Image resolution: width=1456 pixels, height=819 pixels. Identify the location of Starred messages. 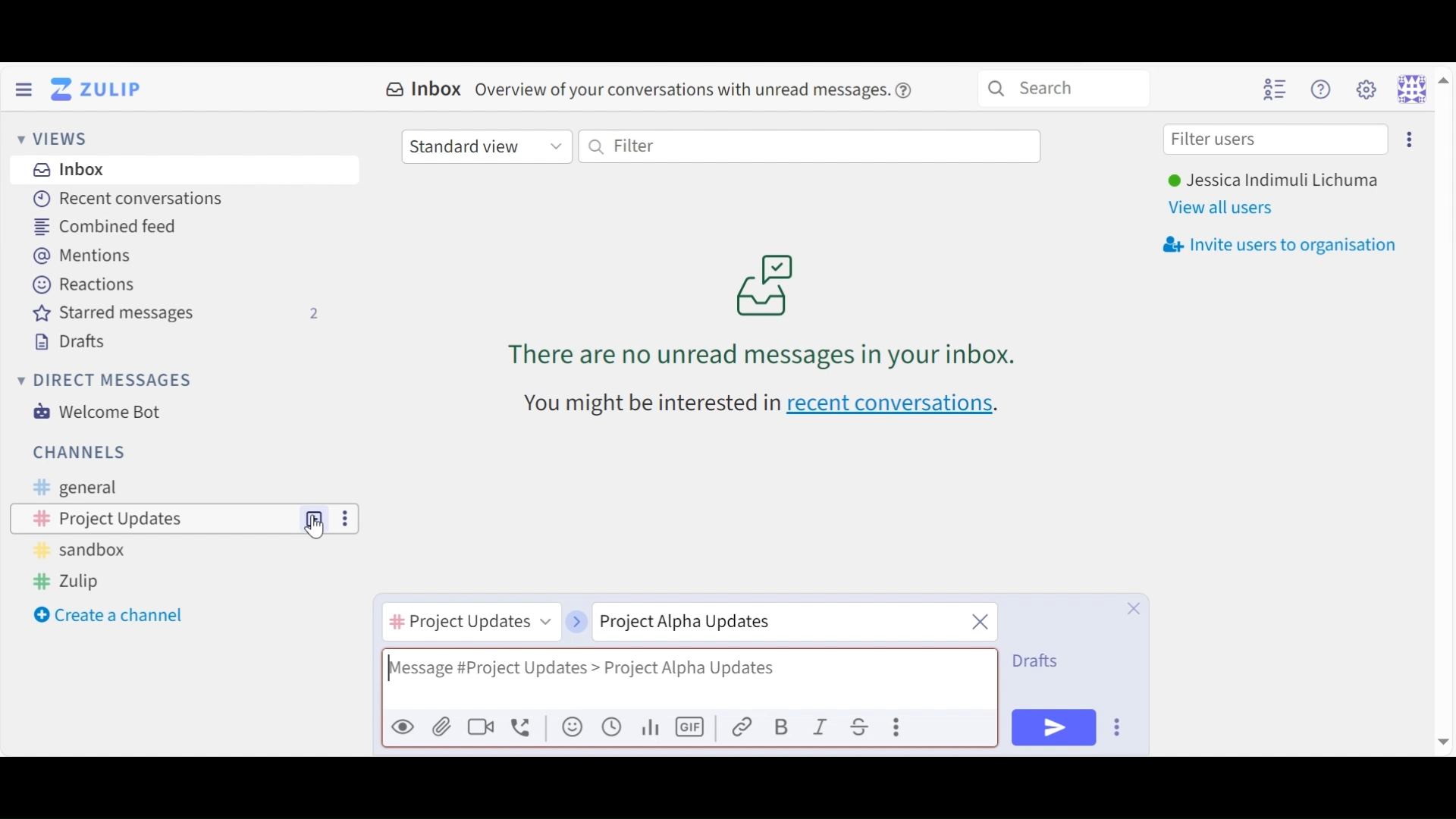
(176, 313).